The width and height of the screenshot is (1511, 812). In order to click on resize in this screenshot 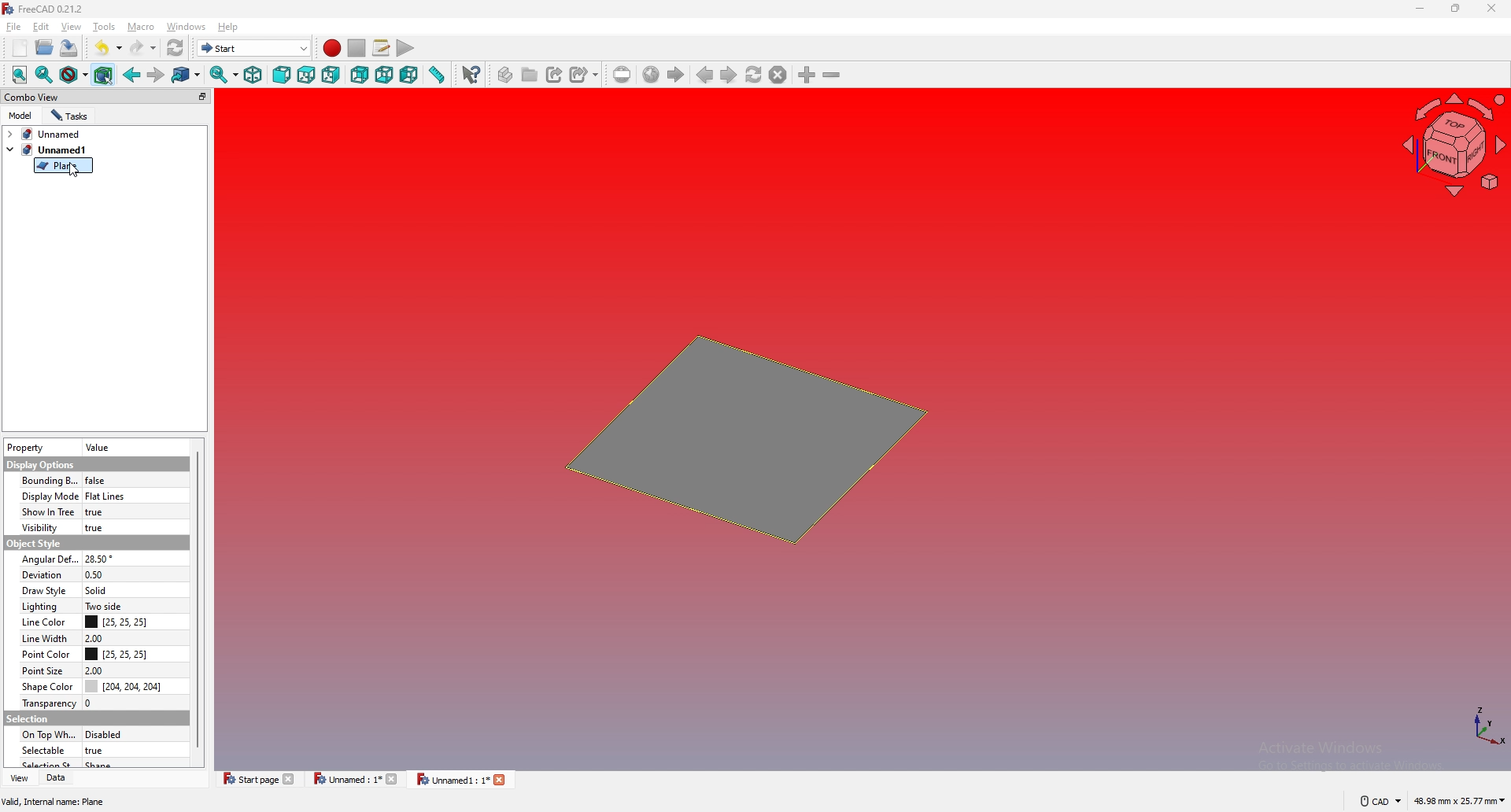, I will do `click(1457, 9)`.